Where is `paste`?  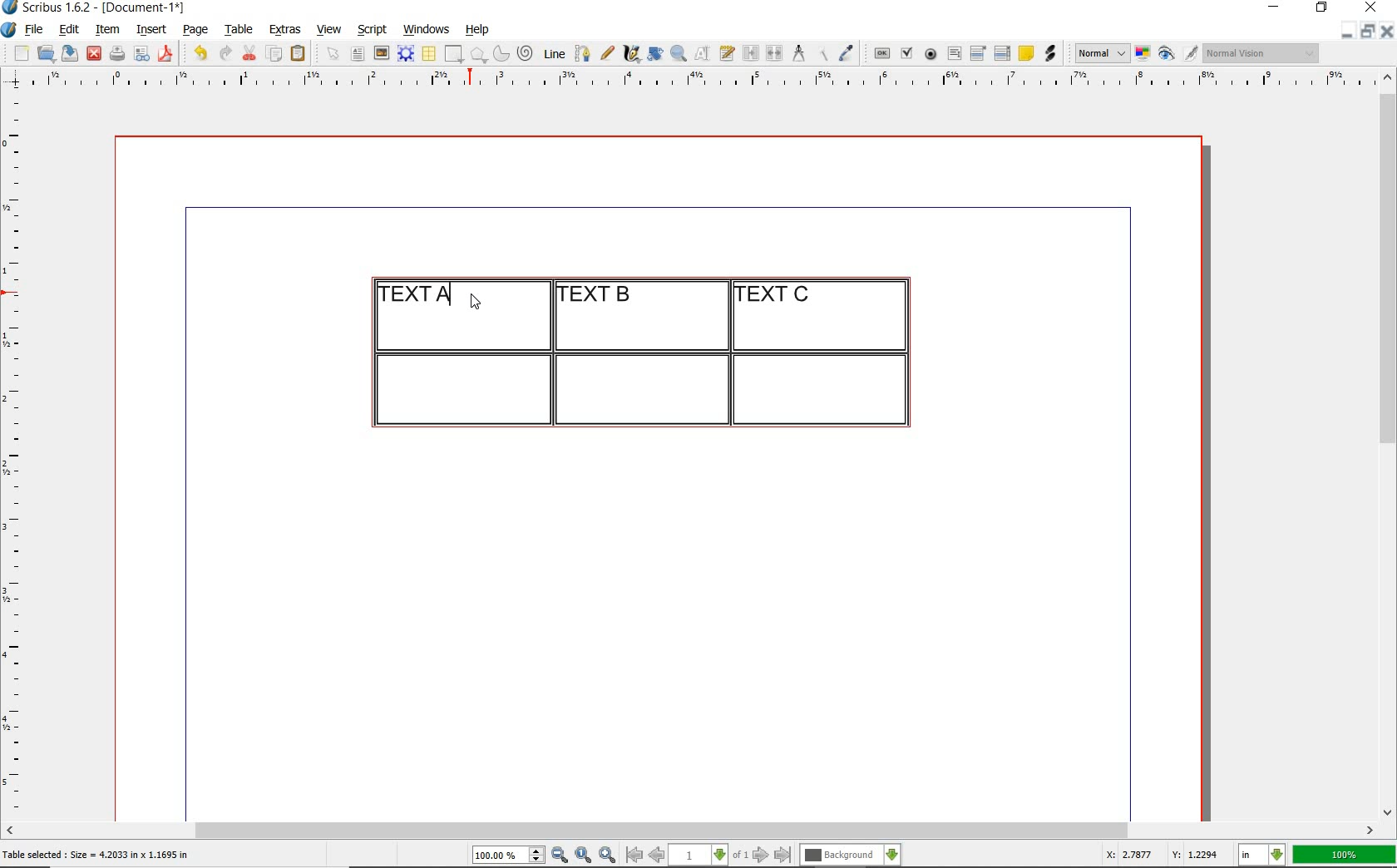
paste is located at coordinates (301, 54).